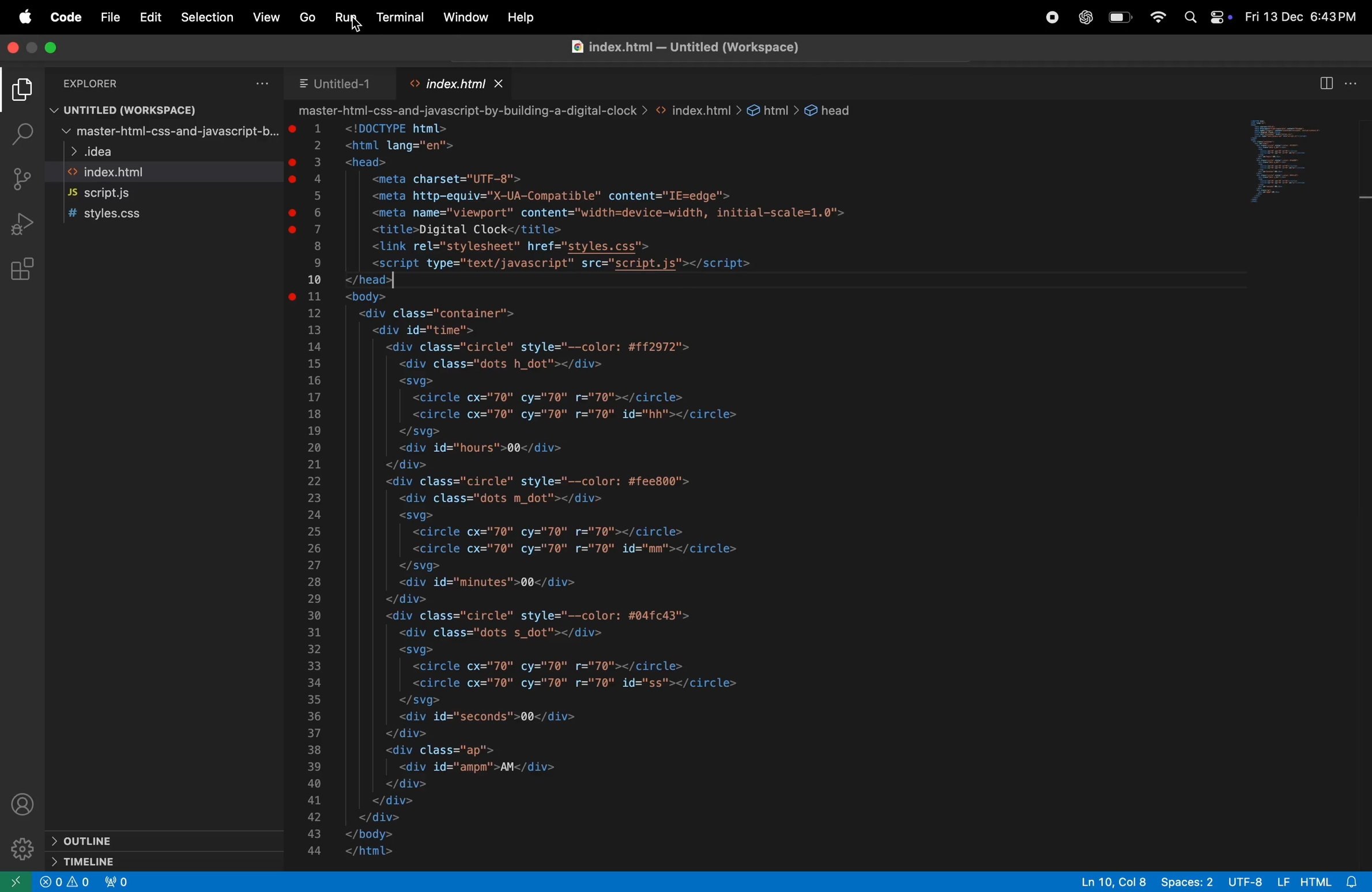 This screenshot has height=892, width=1372. I want to click on split editor, so click(1327, 84).